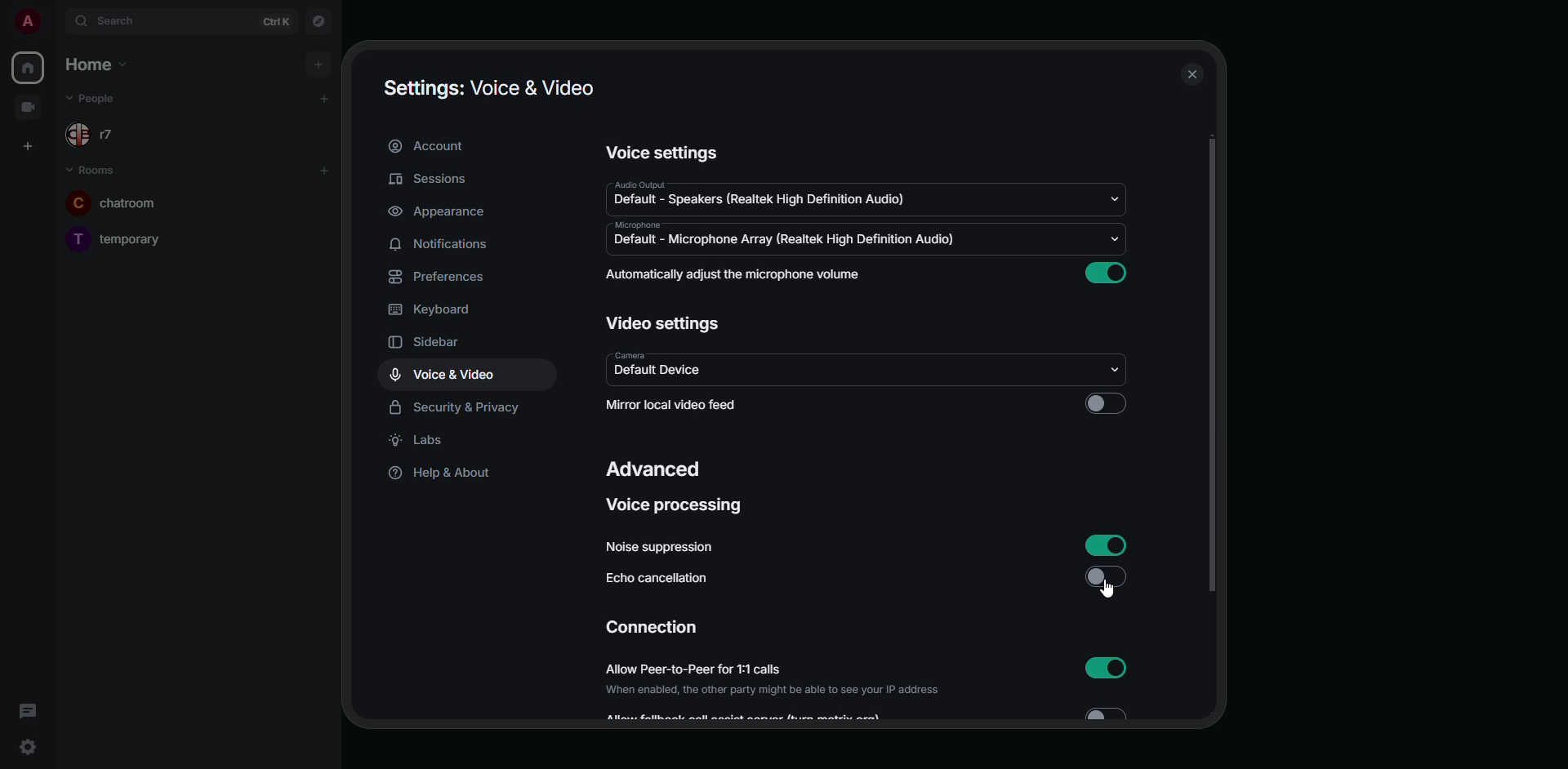 The width and height of the screenshot is (1568, 769). I want to click on enabled, so click(1108, 546).